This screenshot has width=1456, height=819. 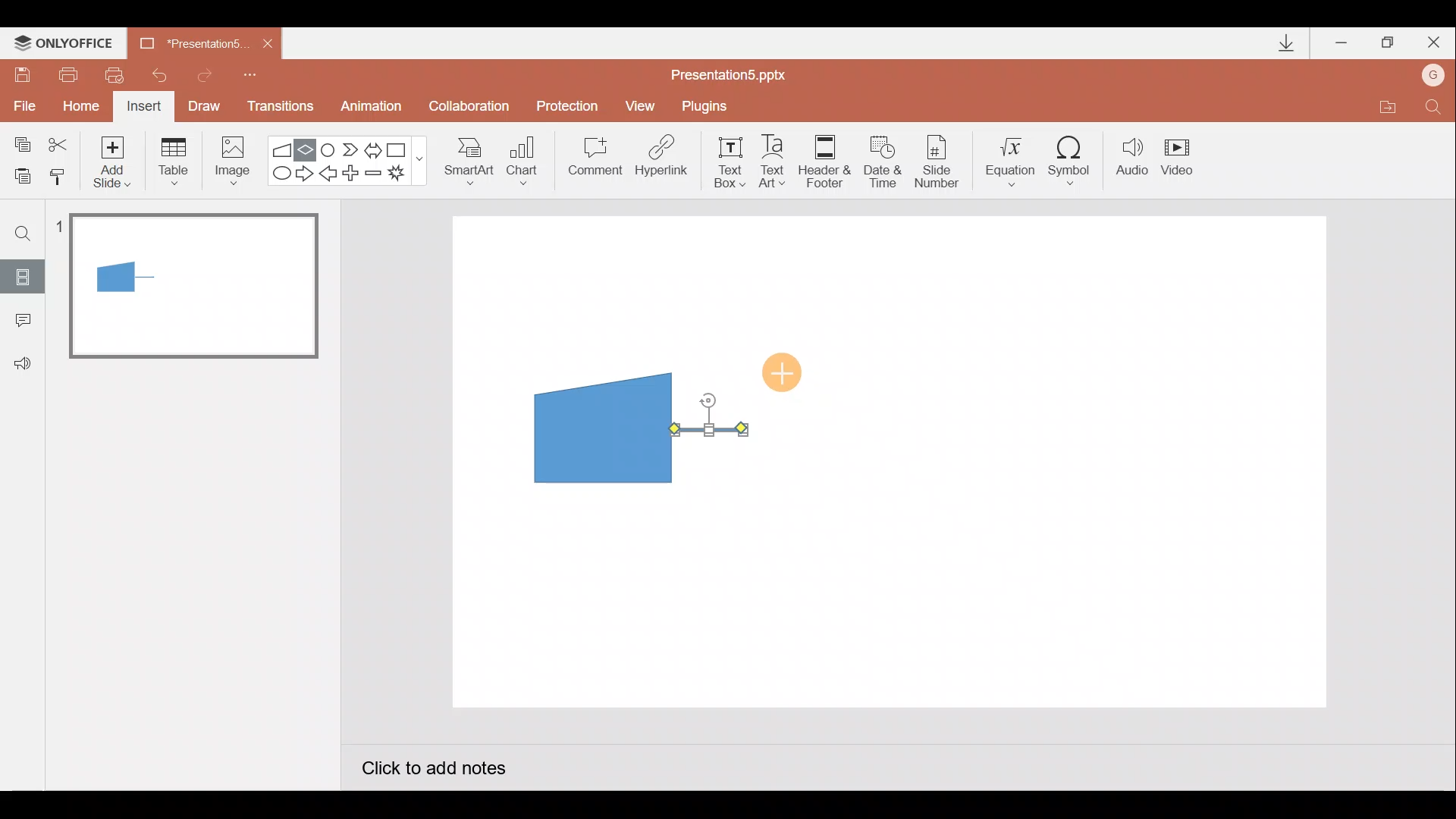 I want to click on Save, so click(x=21, y=72).